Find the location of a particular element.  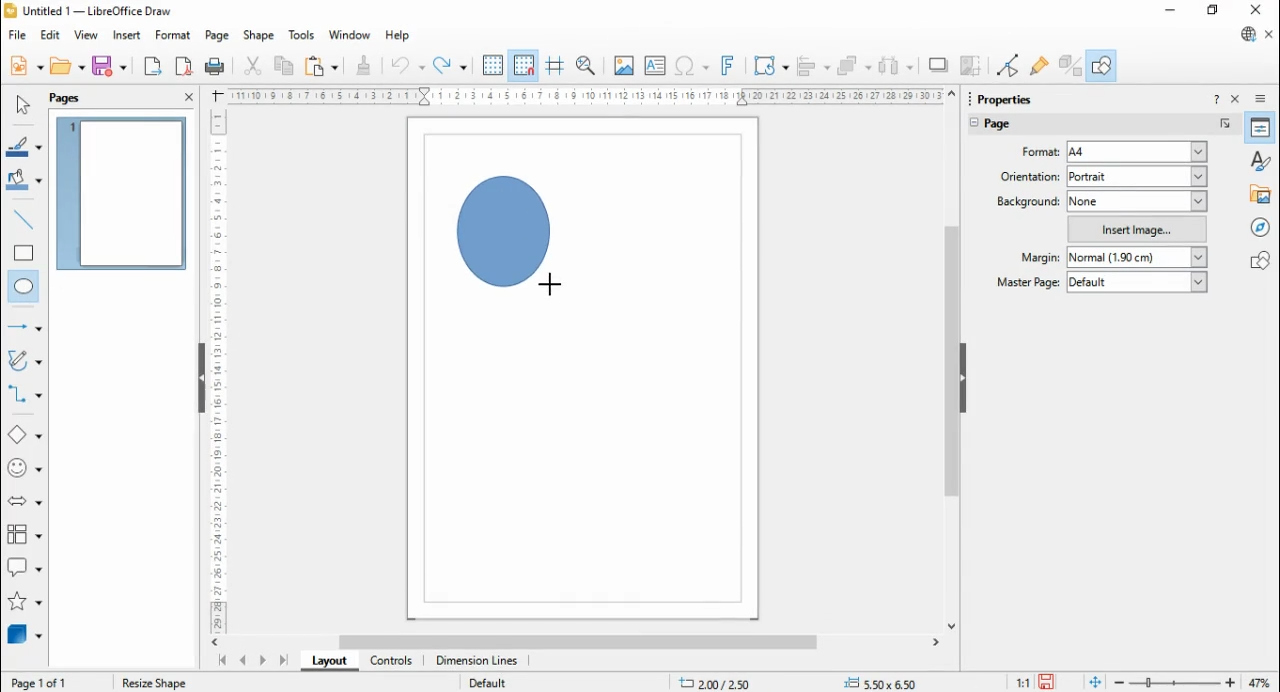

format is located at coordinates (174, 36).